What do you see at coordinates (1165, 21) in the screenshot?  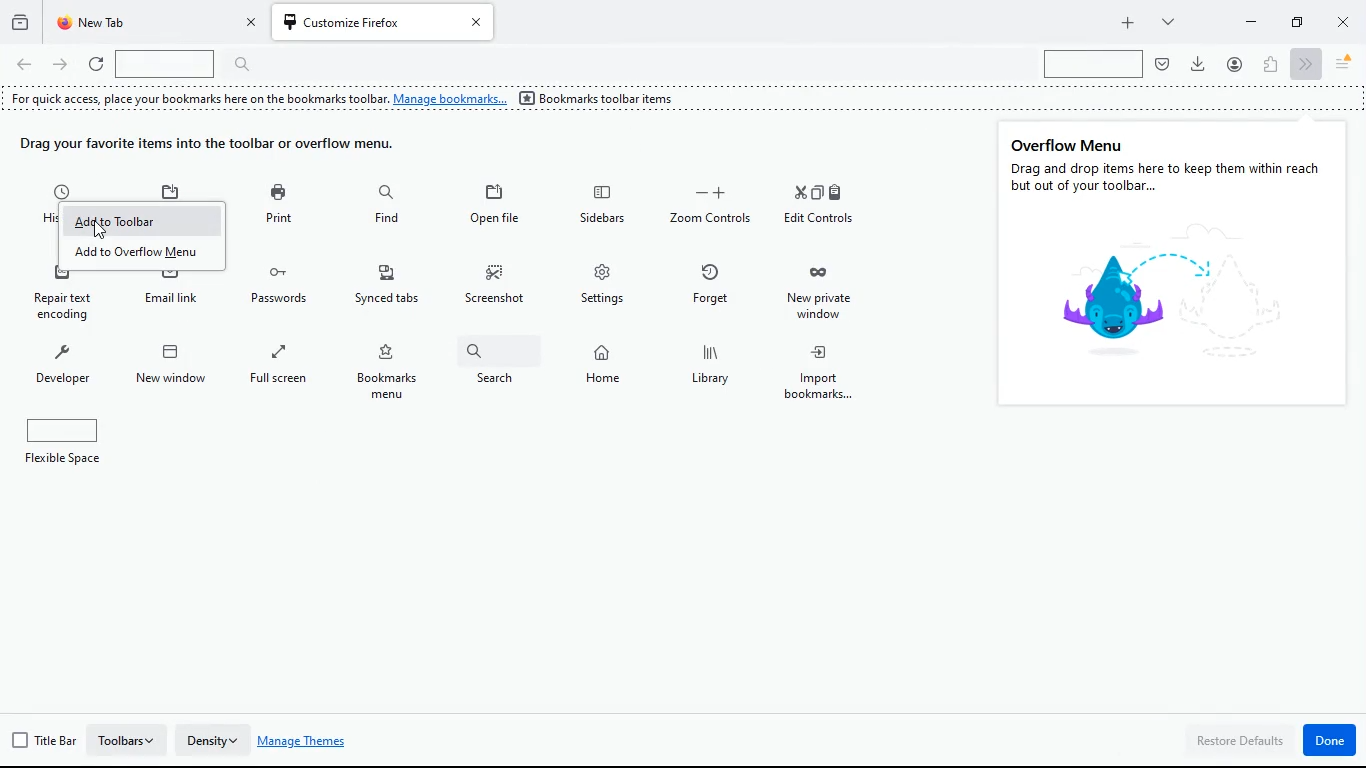 I see `more` at bounding box center [1165, 21].